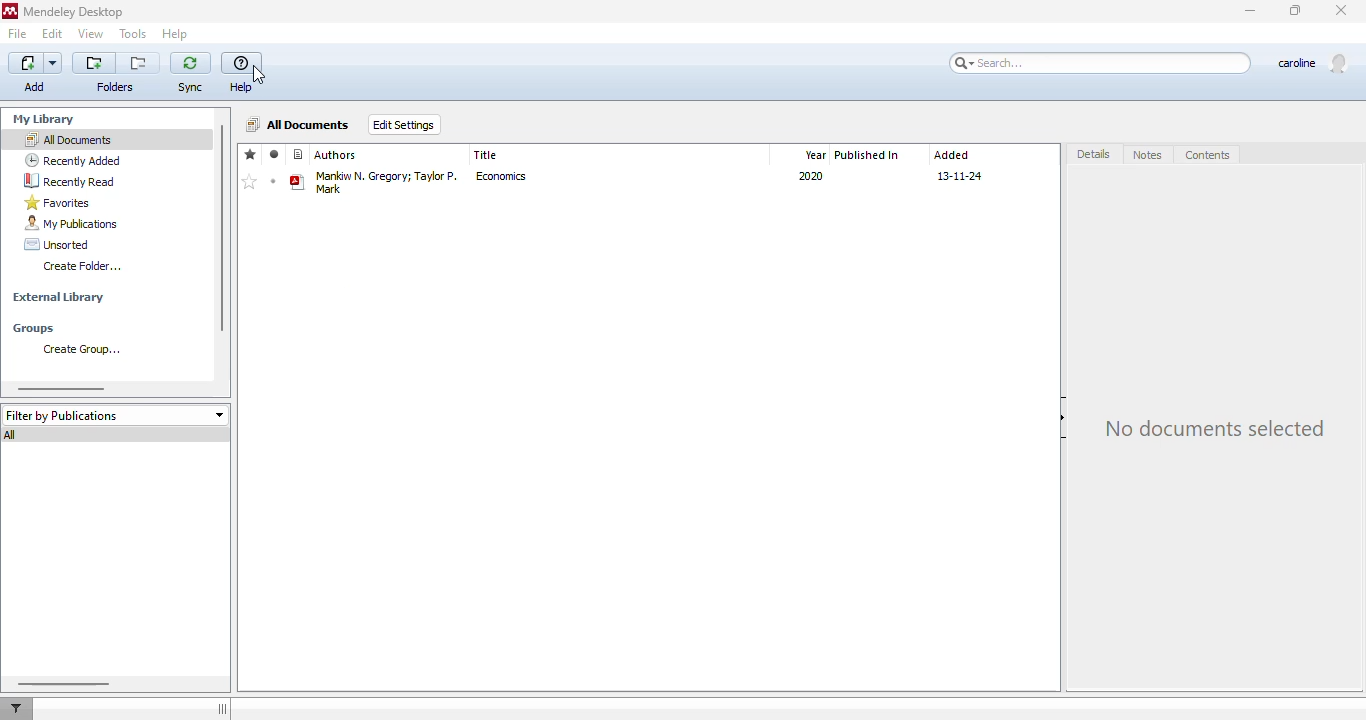  What do you see at coordinates (56, 244) in the screenshot?
I see `unsorted` at bounding box center [56, 244].